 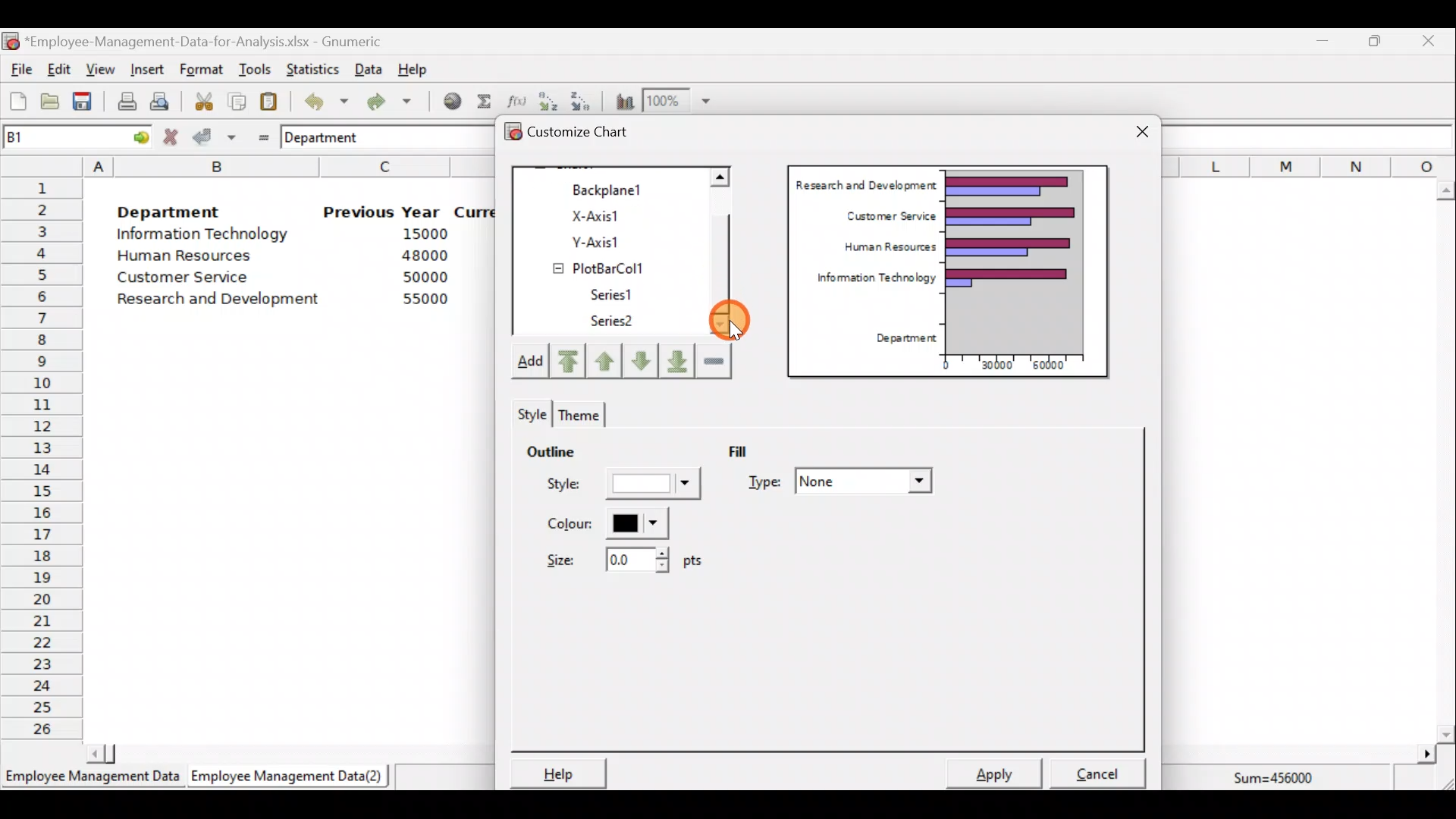 I want to click on Rows, so click(x=42, y=456).